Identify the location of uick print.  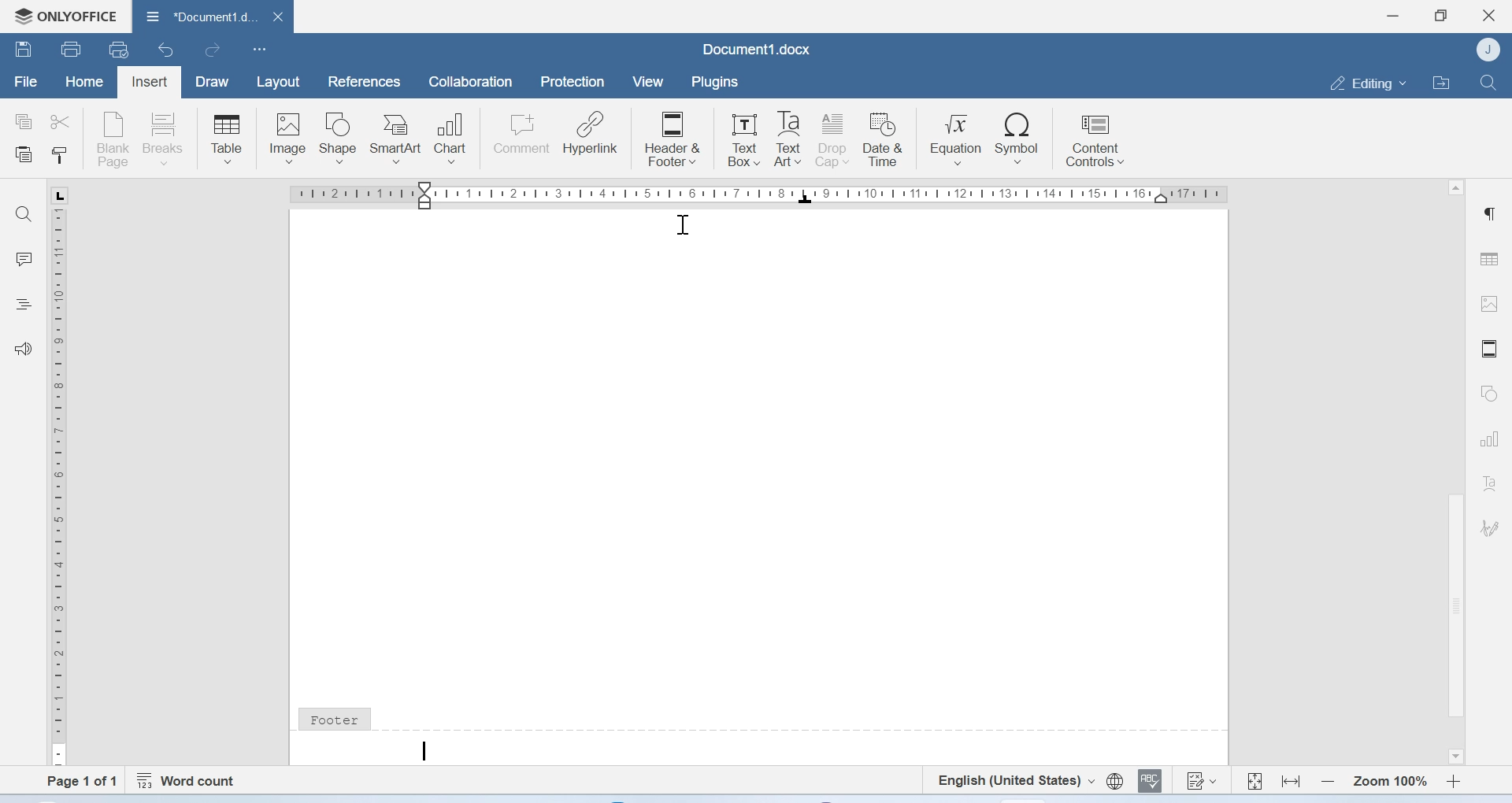
(121, 50).